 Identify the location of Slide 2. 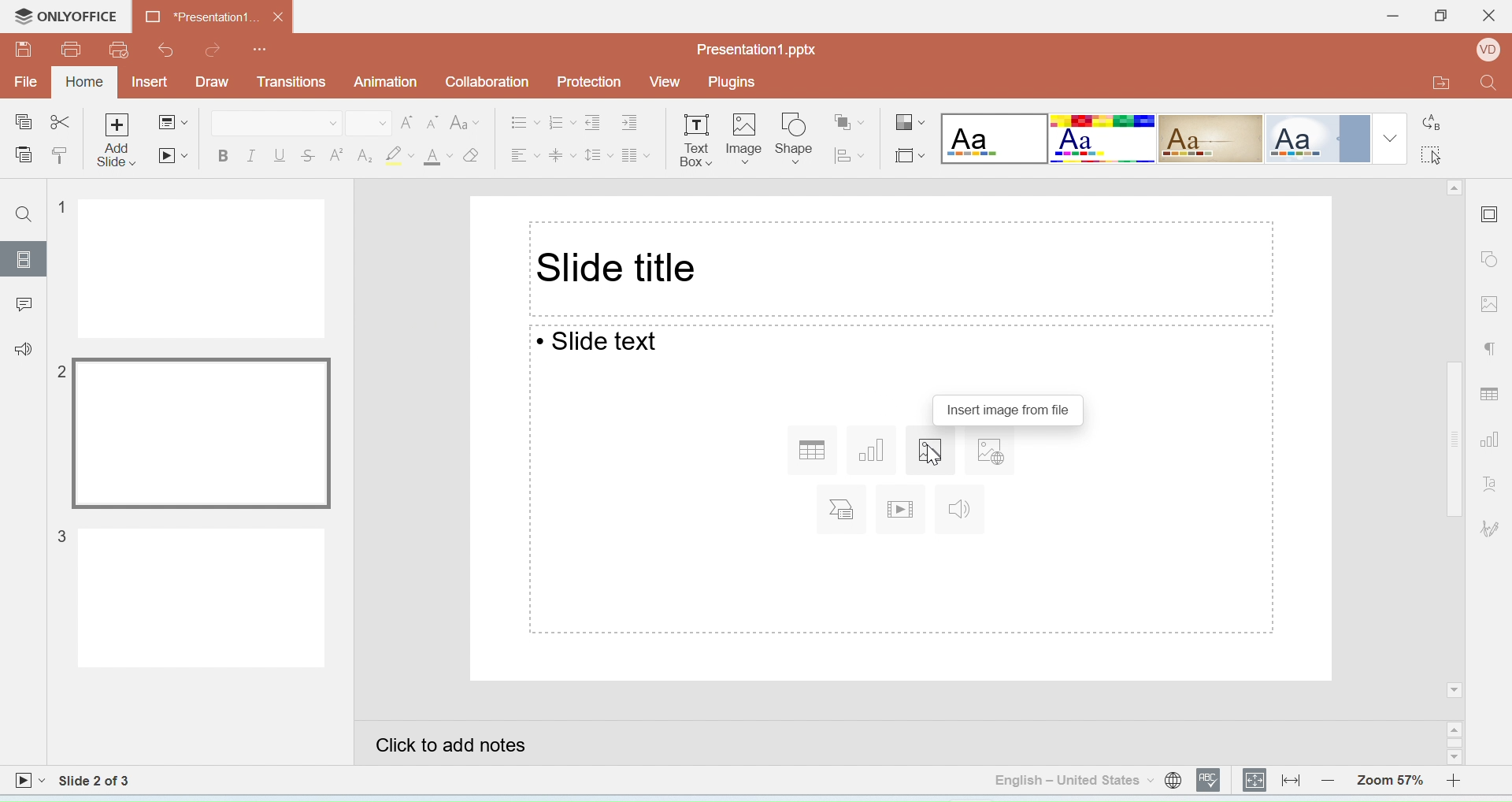
(192, 434).